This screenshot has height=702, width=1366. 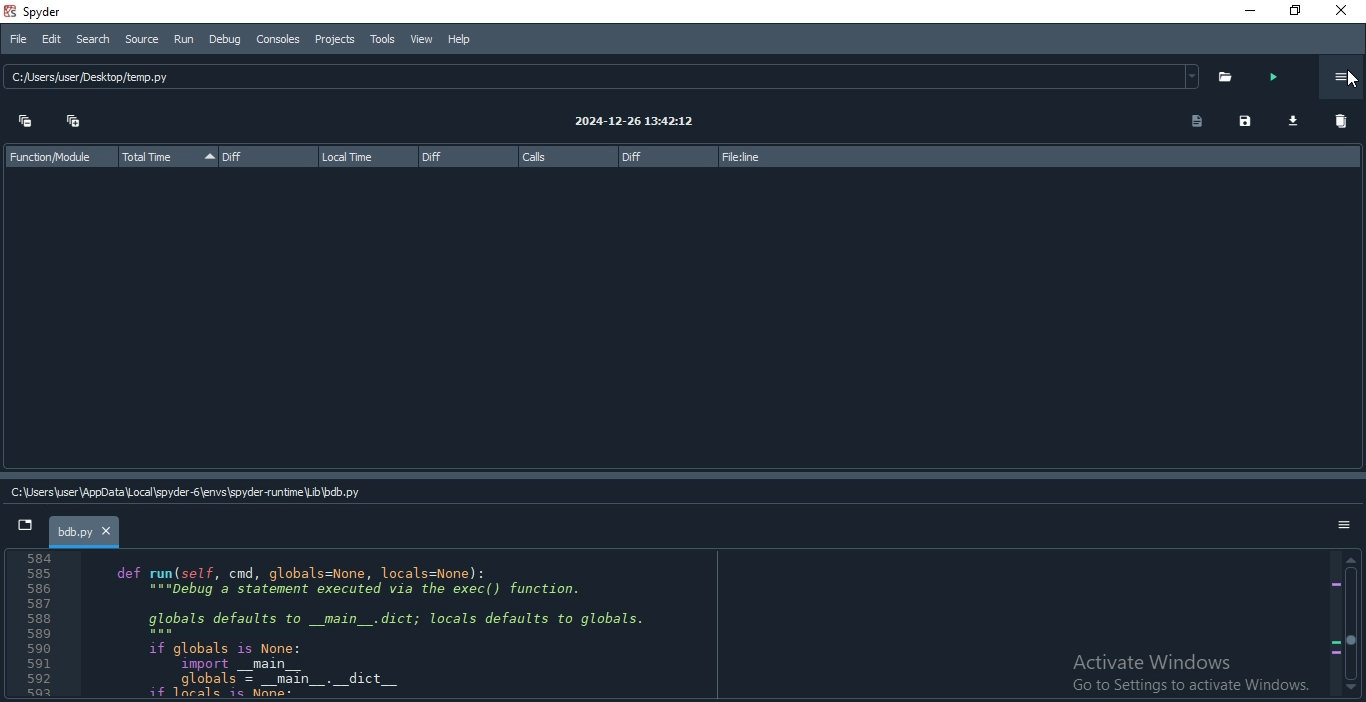 What do you see at coordinates (1043, 157) in the screenshot?
I see `file:line` at bounding box center [1043, 157].